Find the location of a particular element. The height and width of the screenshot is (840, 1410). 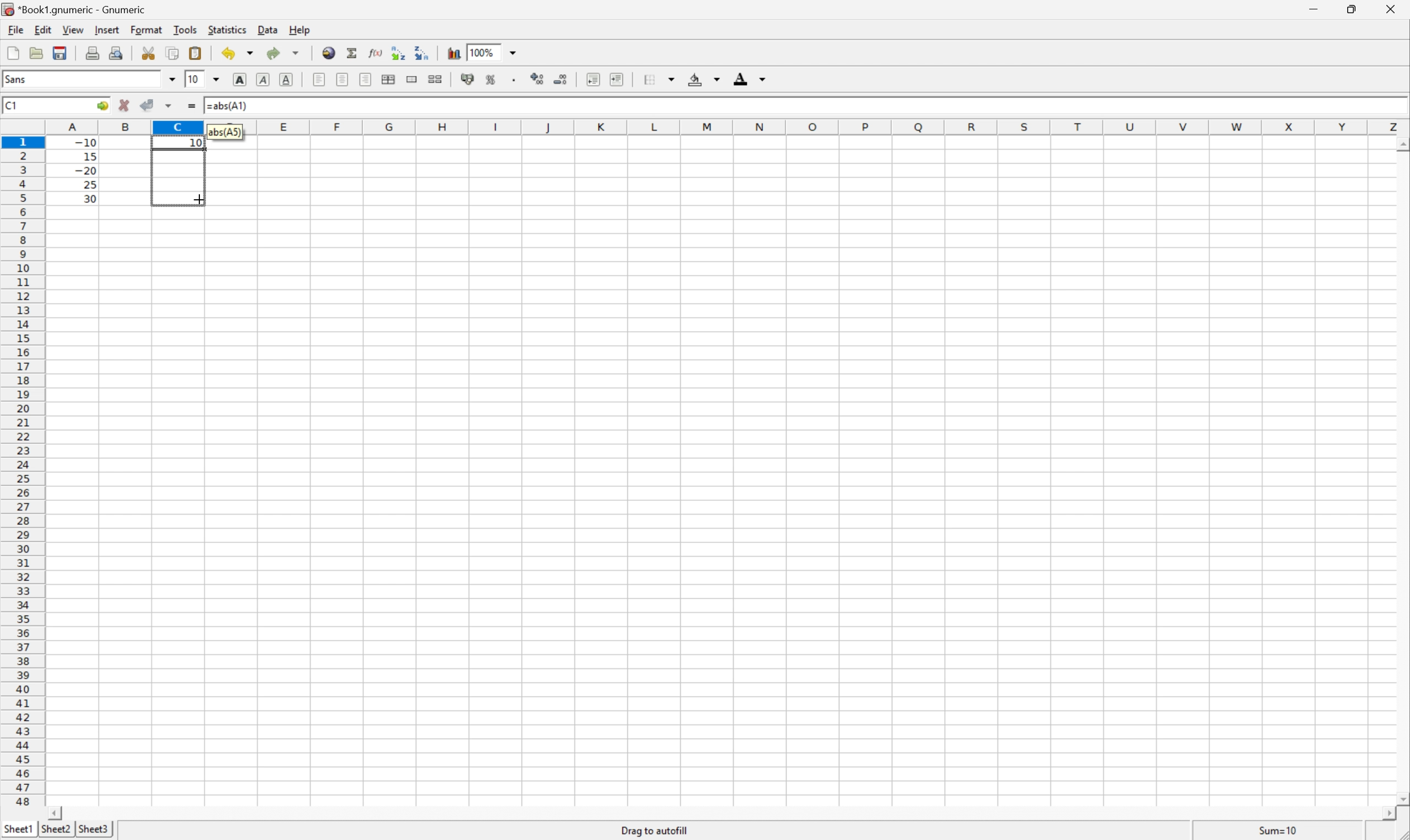

Insert hyperlink is located at coordinates (327, 52).